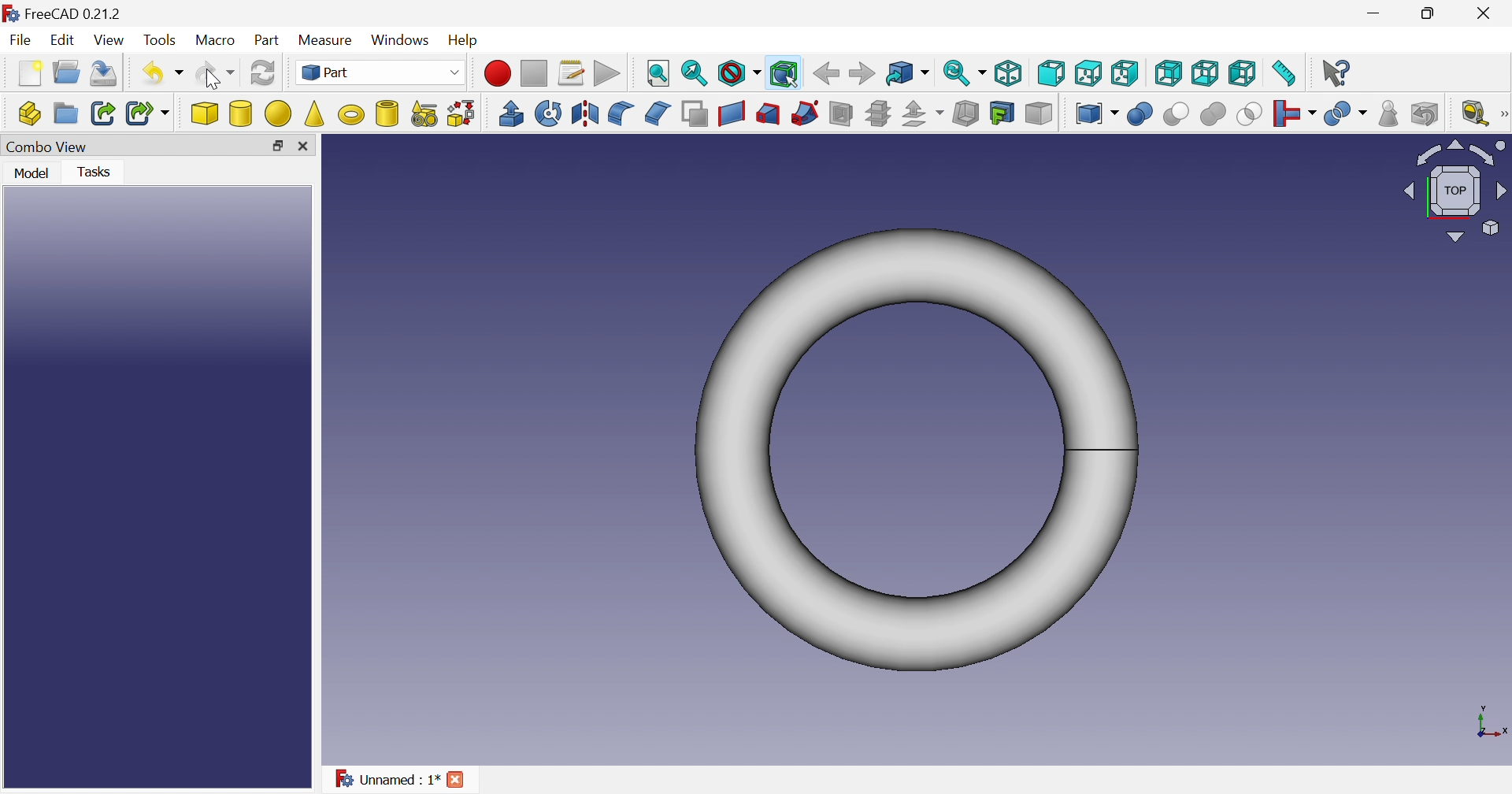  Describe the element at coordinates (732, 113) in the screenshot. I see `Create ruled surface...` at that location.